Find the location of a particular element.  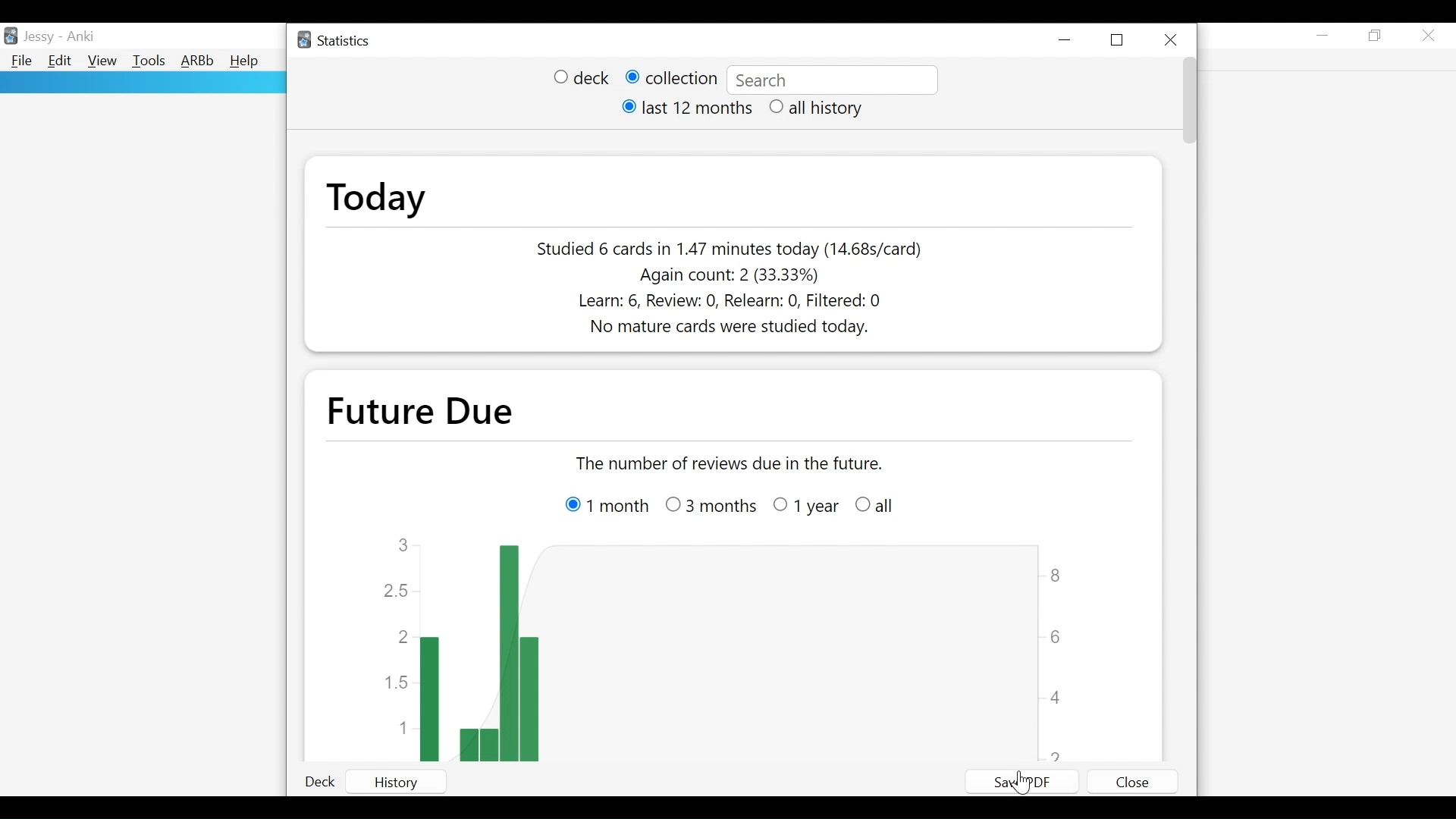

1 month is located at coordinates (601, 500).